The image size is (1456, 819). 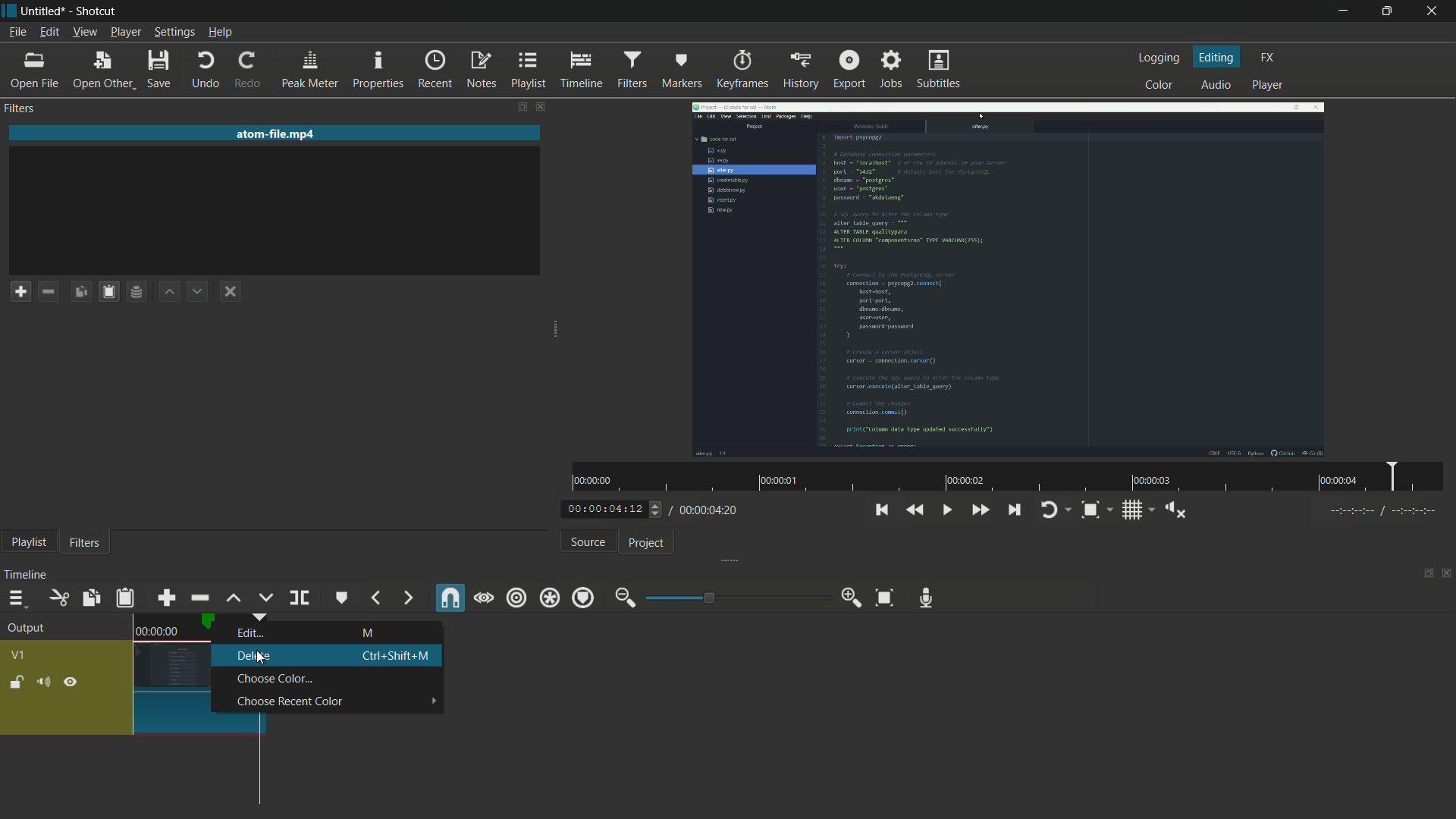 What do you see at coordinates (681, 70) in the screenshot?
I see `markers` at bounding box center [681, 70].